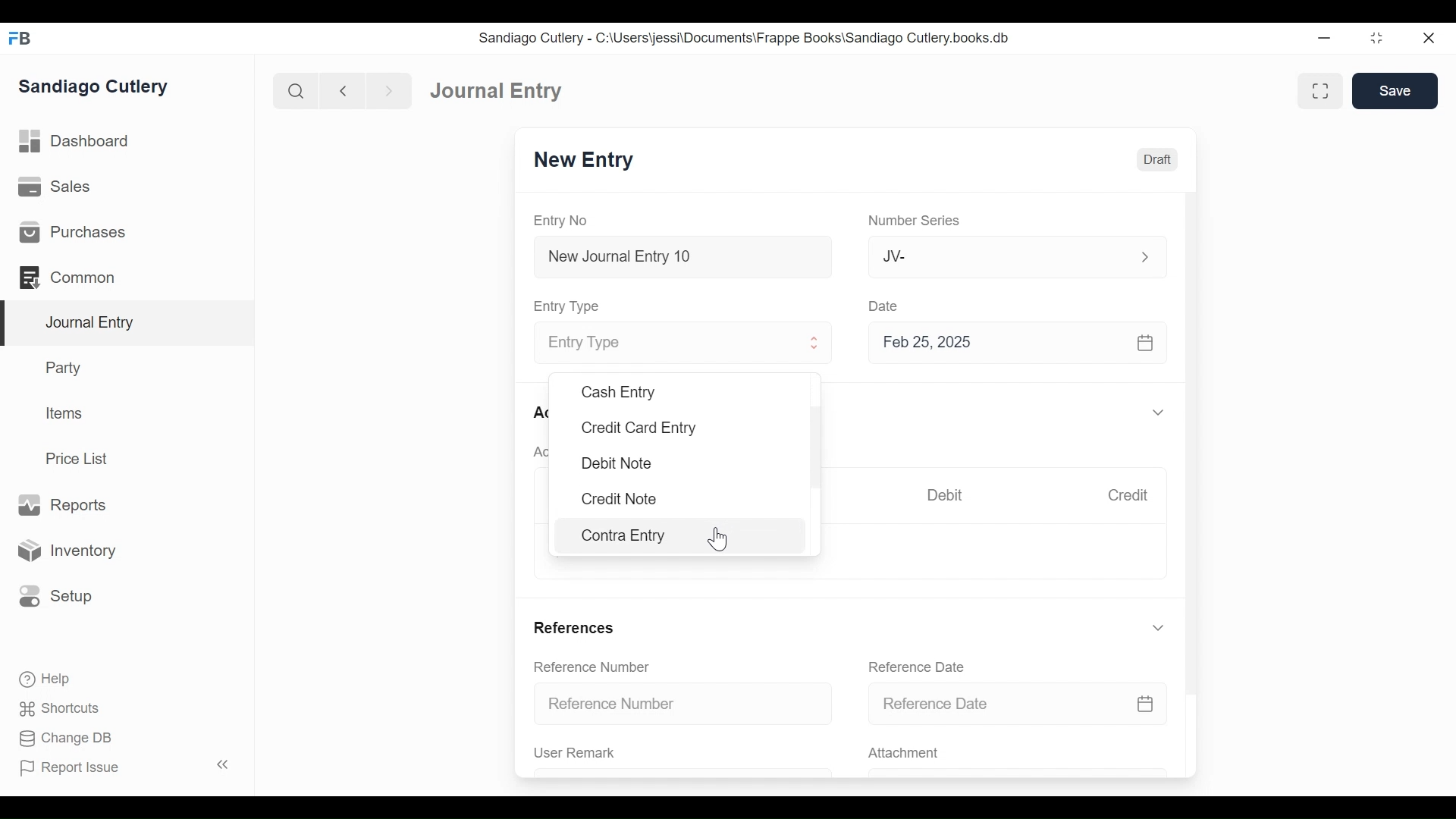  I want to click on Reference Date, so click(1018, 704).